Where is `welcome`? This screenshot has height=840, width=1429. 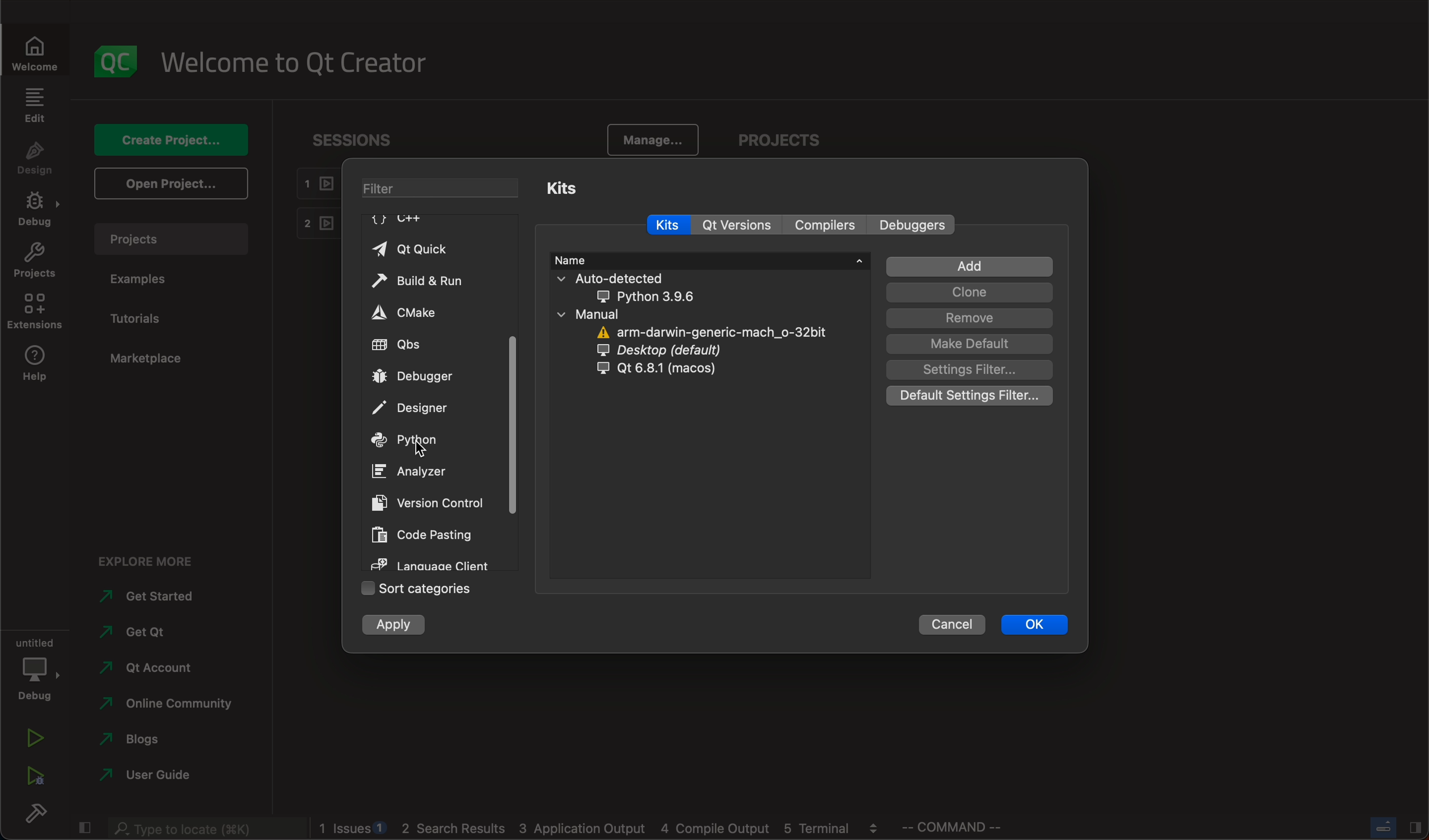 welcome is located at coordinates (33, 51).